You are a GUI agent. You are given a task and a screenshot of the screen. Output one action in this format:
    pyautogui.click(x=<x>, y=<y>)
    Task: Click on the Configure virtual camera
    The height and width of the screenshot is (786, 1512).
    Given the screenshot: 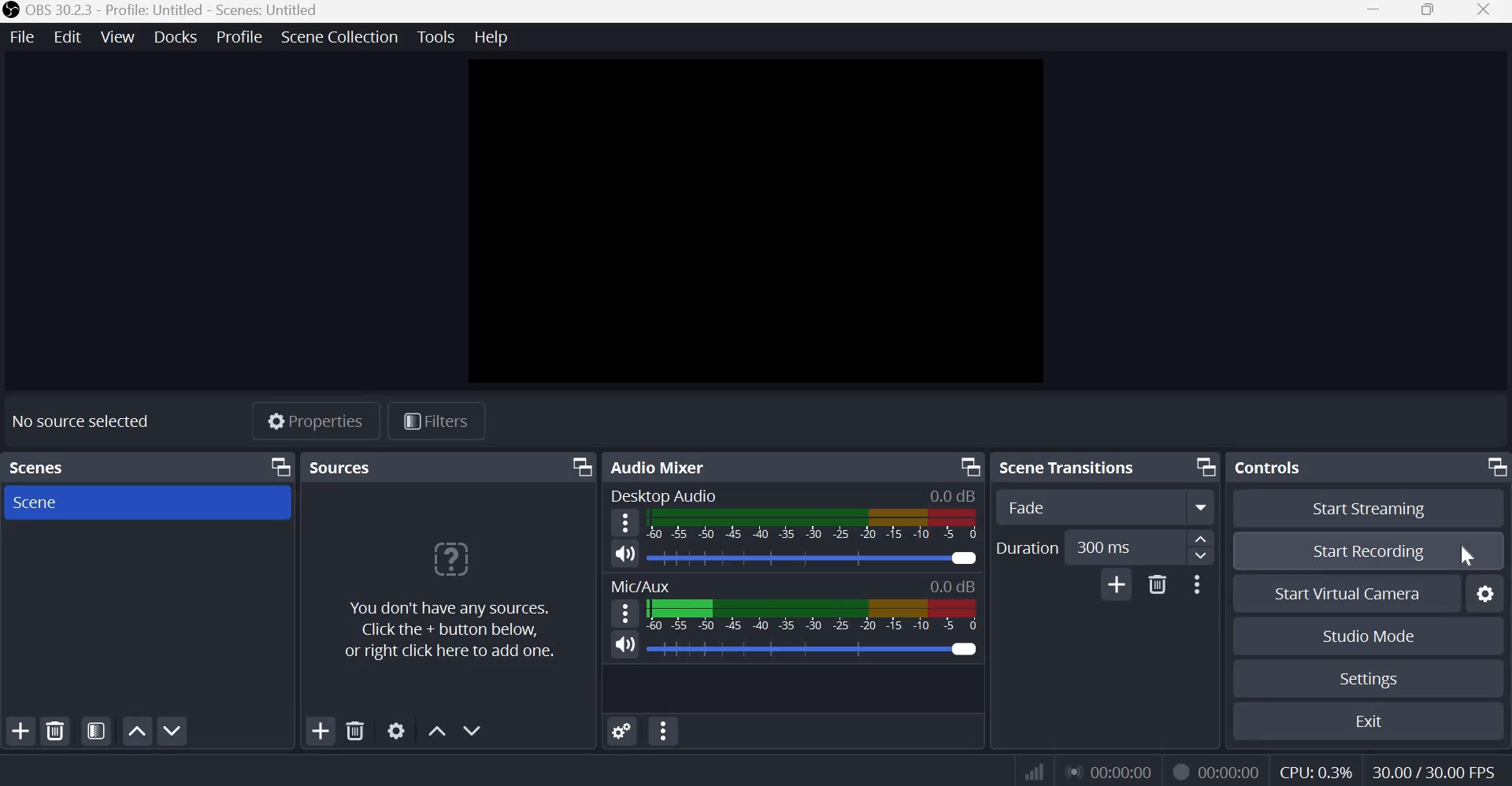 What is the action you would take?
    pyautogui.click(x=1483, y=594)
    